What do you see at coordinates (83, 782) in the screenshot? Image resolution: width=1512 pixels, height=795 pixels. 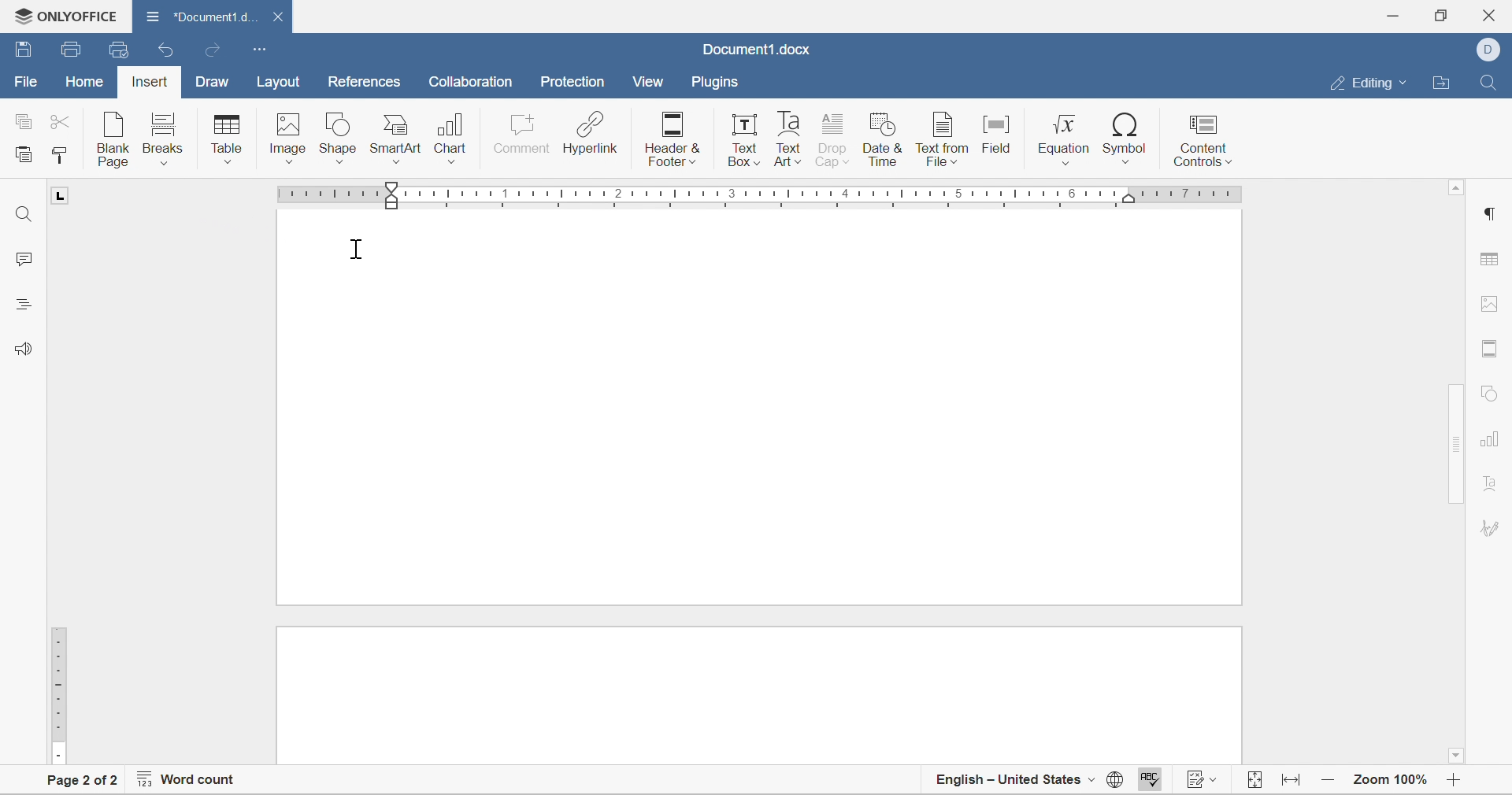 I see `Page 1 of 1` at bounding box center [83, 782].